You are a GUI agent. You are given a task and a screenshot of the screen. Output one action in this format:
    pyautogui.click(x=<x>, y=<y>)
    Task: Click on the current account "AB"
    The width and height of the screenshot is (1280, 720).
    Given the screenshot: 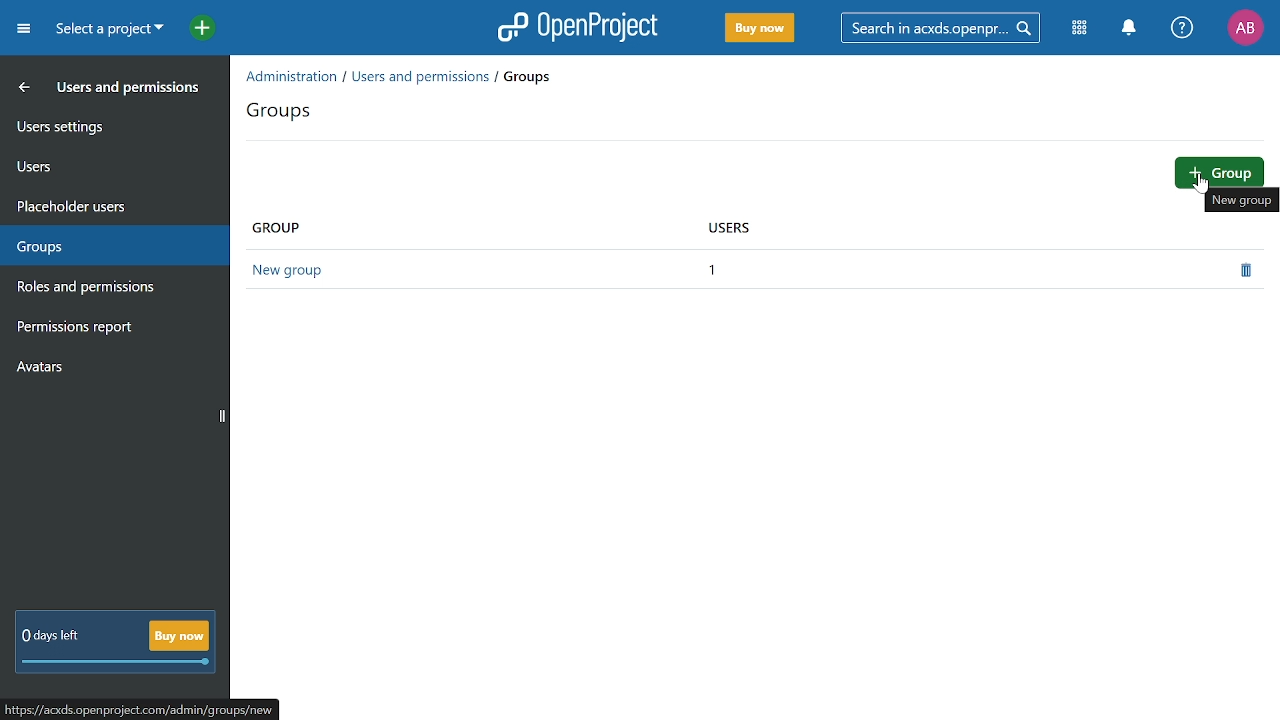 What is the action you would take?
    pyautogui.click(x=1245, y=29)
    